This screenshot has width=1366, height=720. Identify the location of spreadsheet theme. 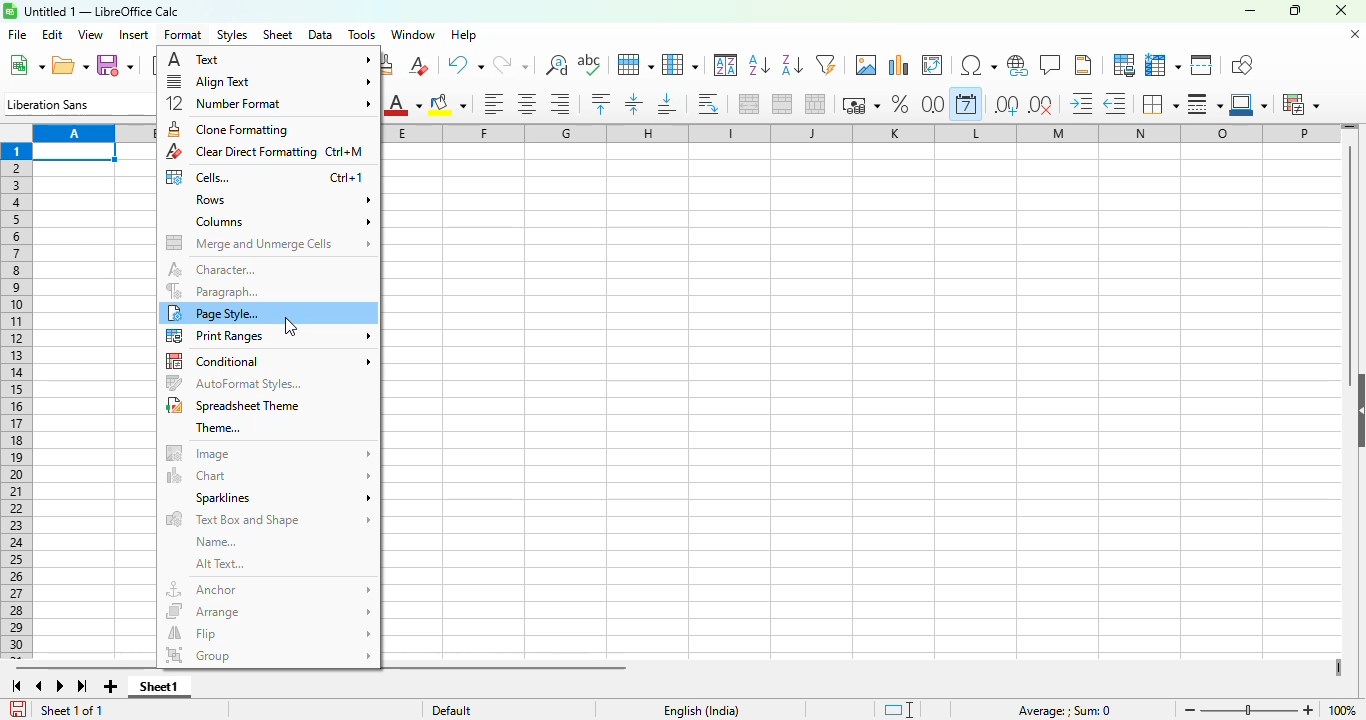
(235, 405).